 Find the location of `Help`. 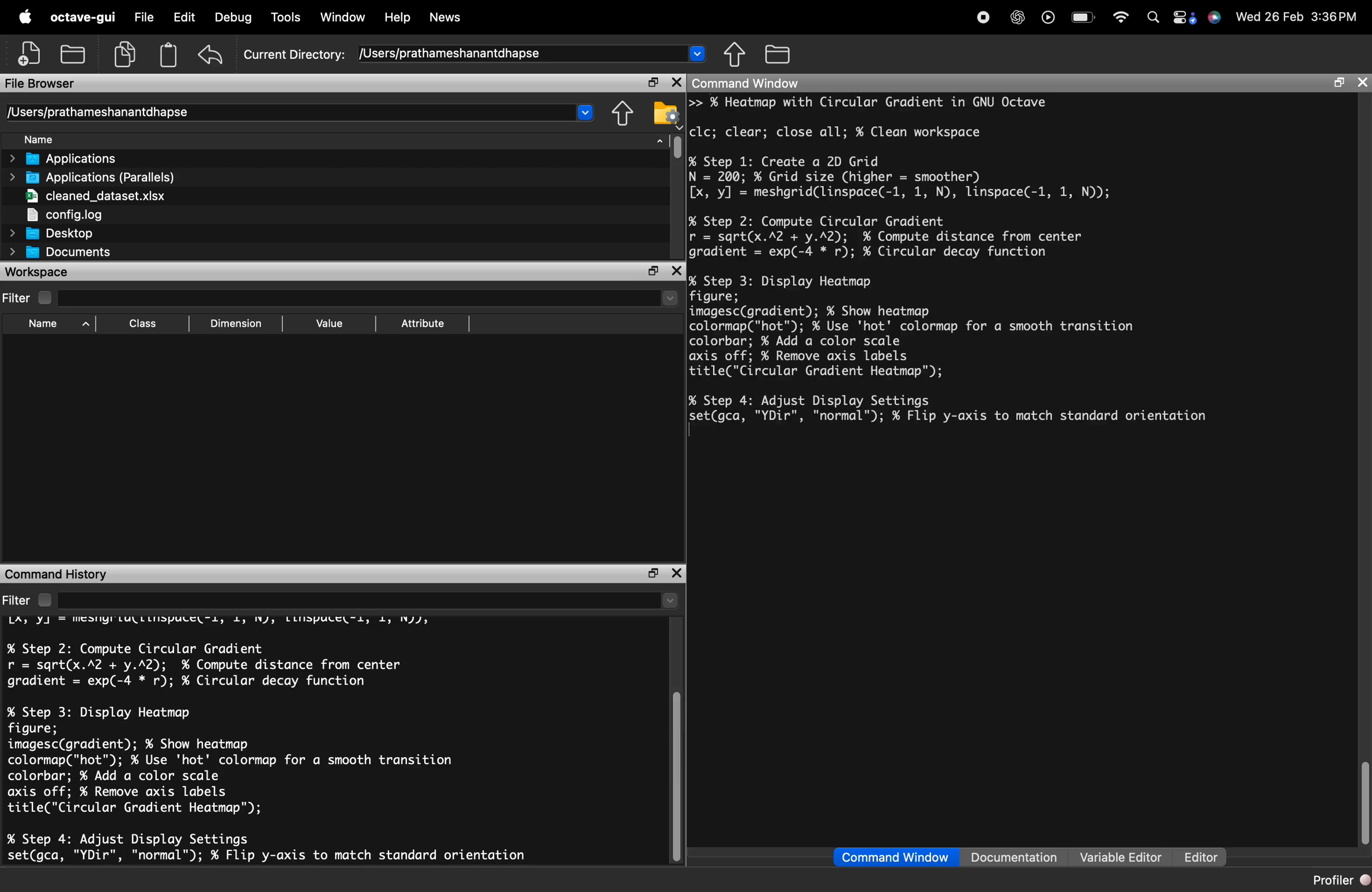

Help is located at coordinates (398, 17).